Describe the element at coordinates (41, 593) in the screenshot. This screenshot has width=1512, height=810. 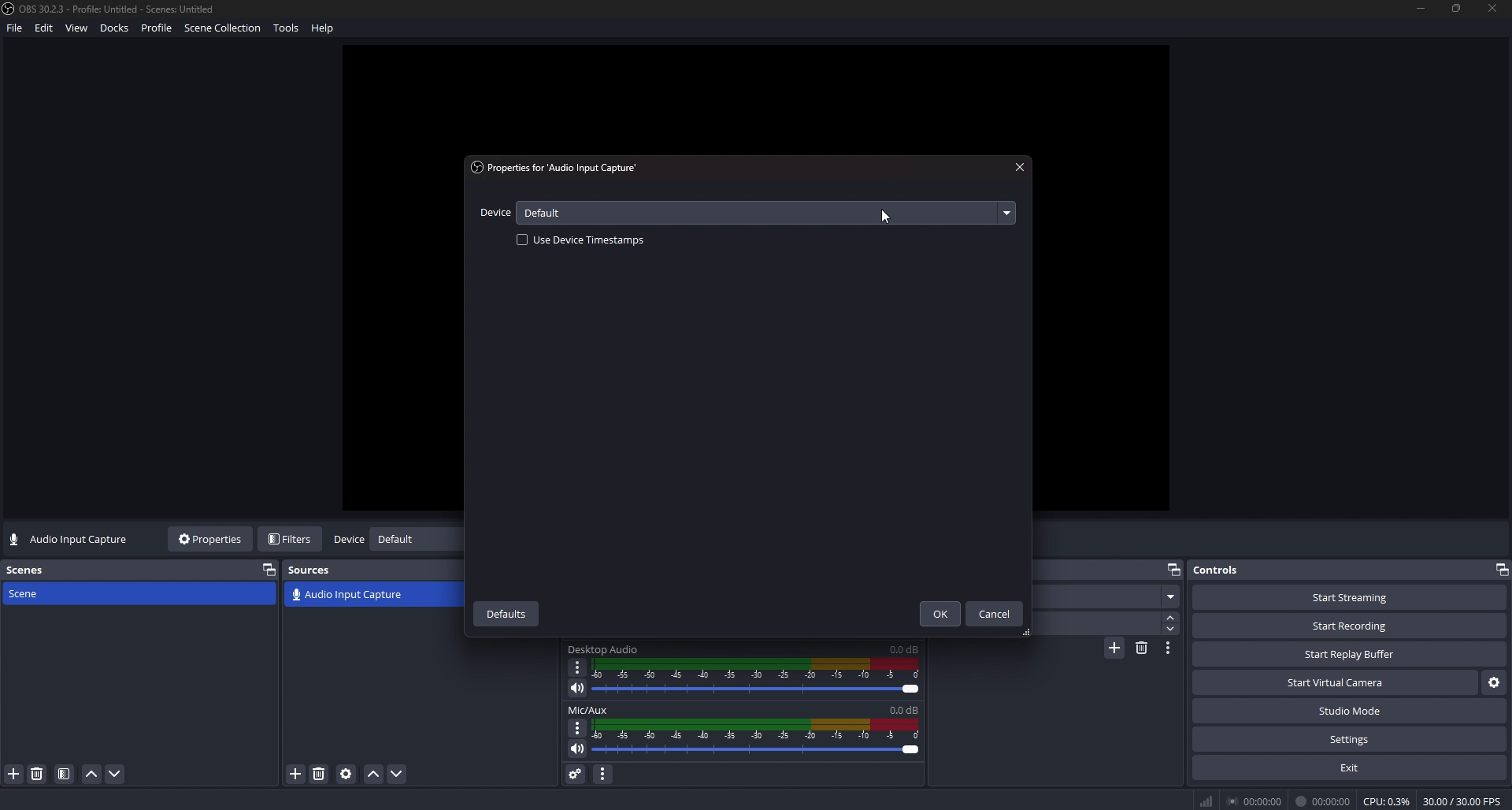
I see `scene` at that location.